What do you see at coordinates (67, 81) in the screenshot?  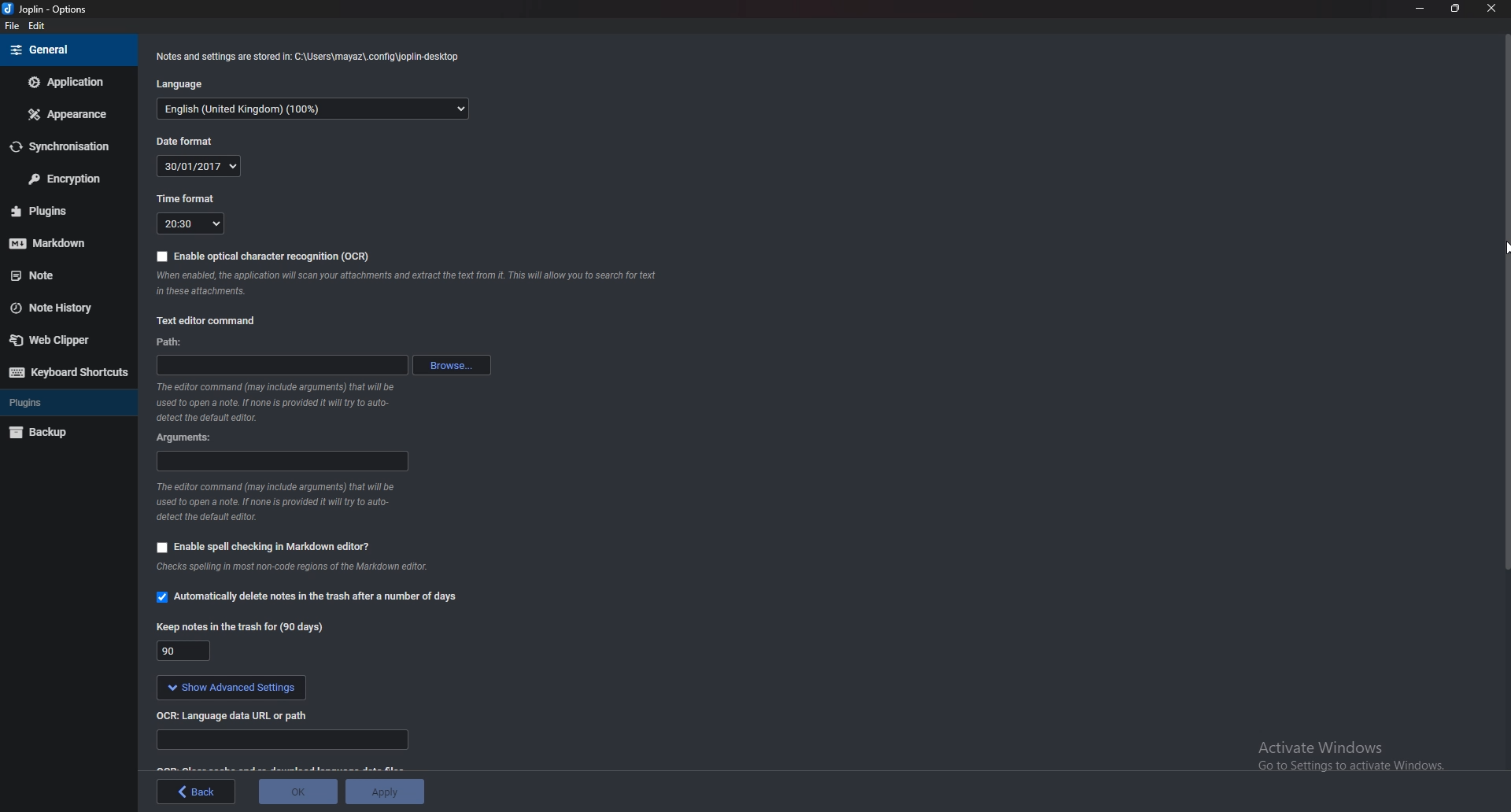 I see `Application` at bounding box center [67, 81].